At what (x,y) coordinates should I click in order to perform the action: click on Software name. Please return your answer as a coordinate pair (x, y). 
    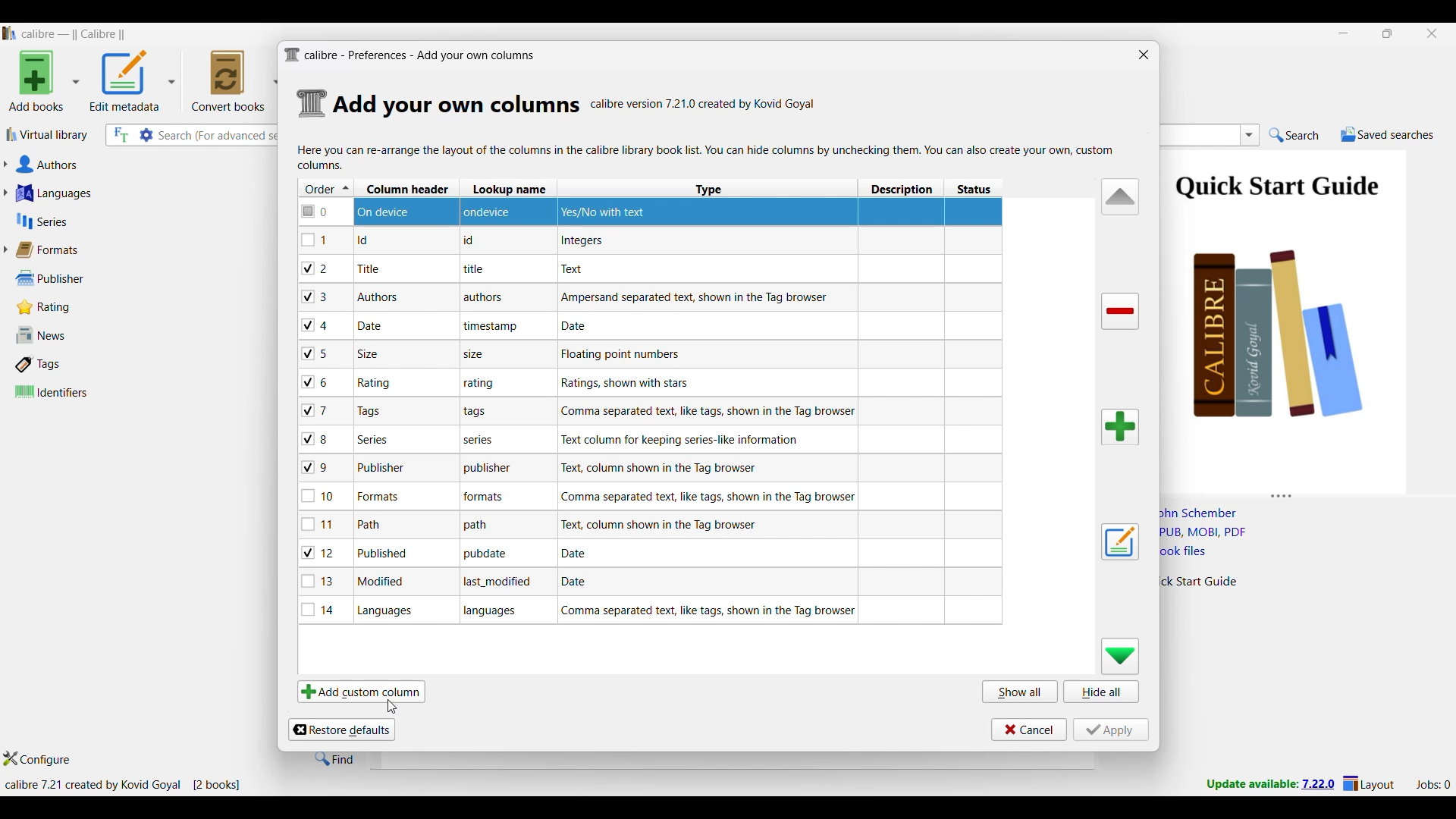
    Looking at the image, I should click on (74, 34).